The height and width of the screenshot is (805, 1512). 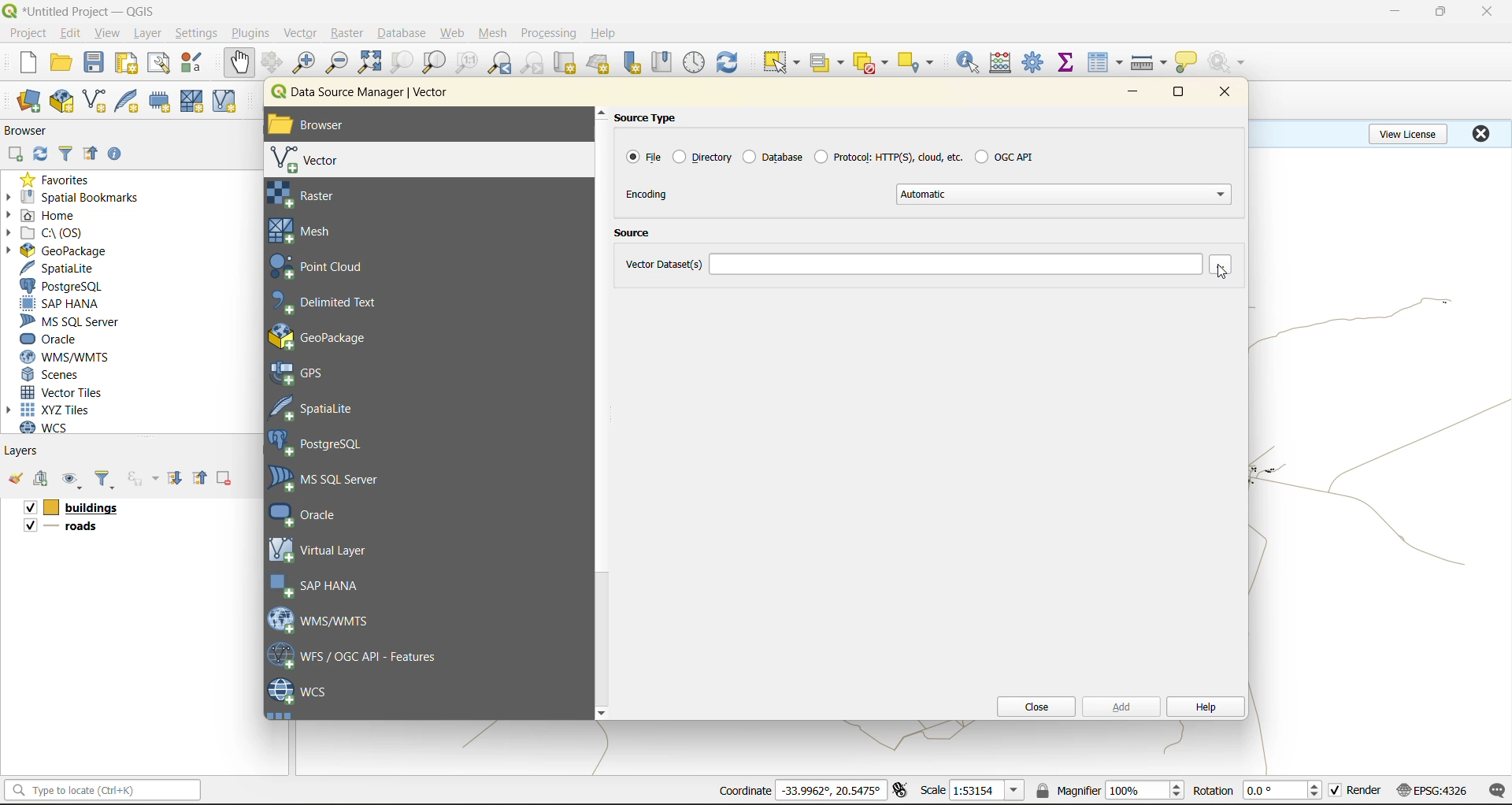 What do you see at coordinates (667, 61) in the screenshot?
I see `show spatial bookmark` at bounding box center [667, 61].